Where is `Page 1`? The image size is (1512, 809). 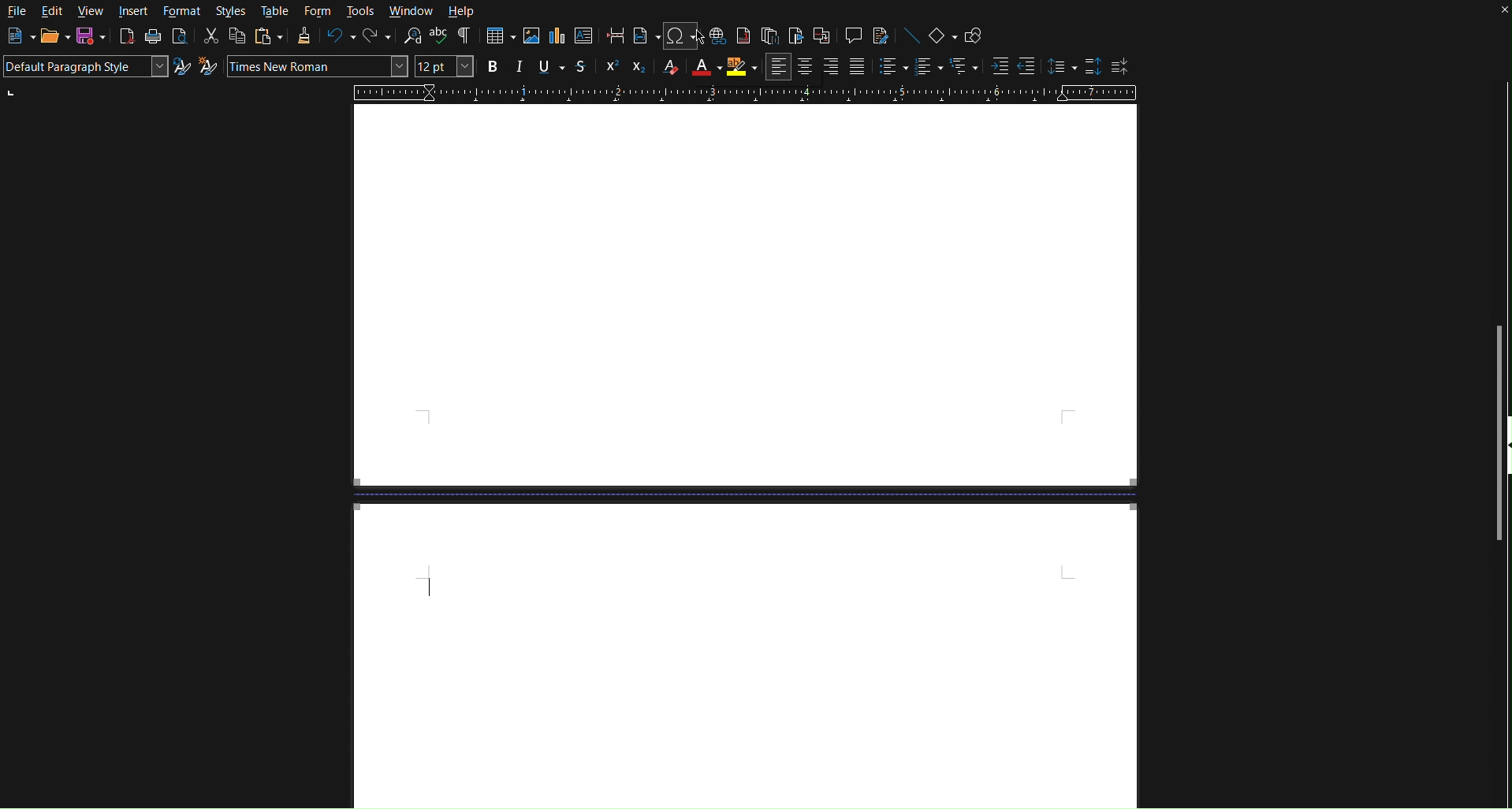 Page 1 is located at coordinates (743, 296).